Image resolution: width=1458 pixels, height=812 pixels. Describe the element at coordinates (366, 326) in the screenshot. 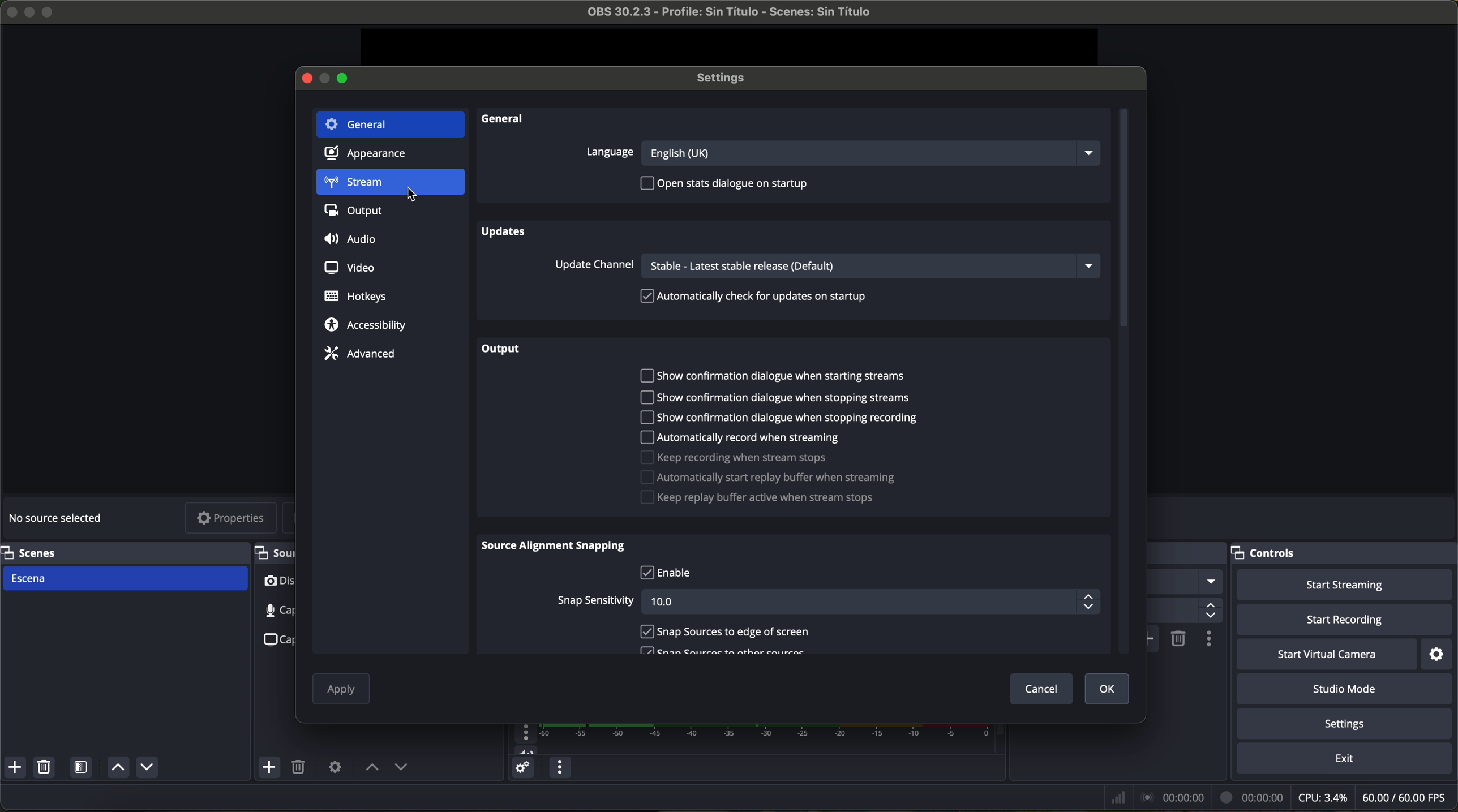

I see `accessibility` at that location.